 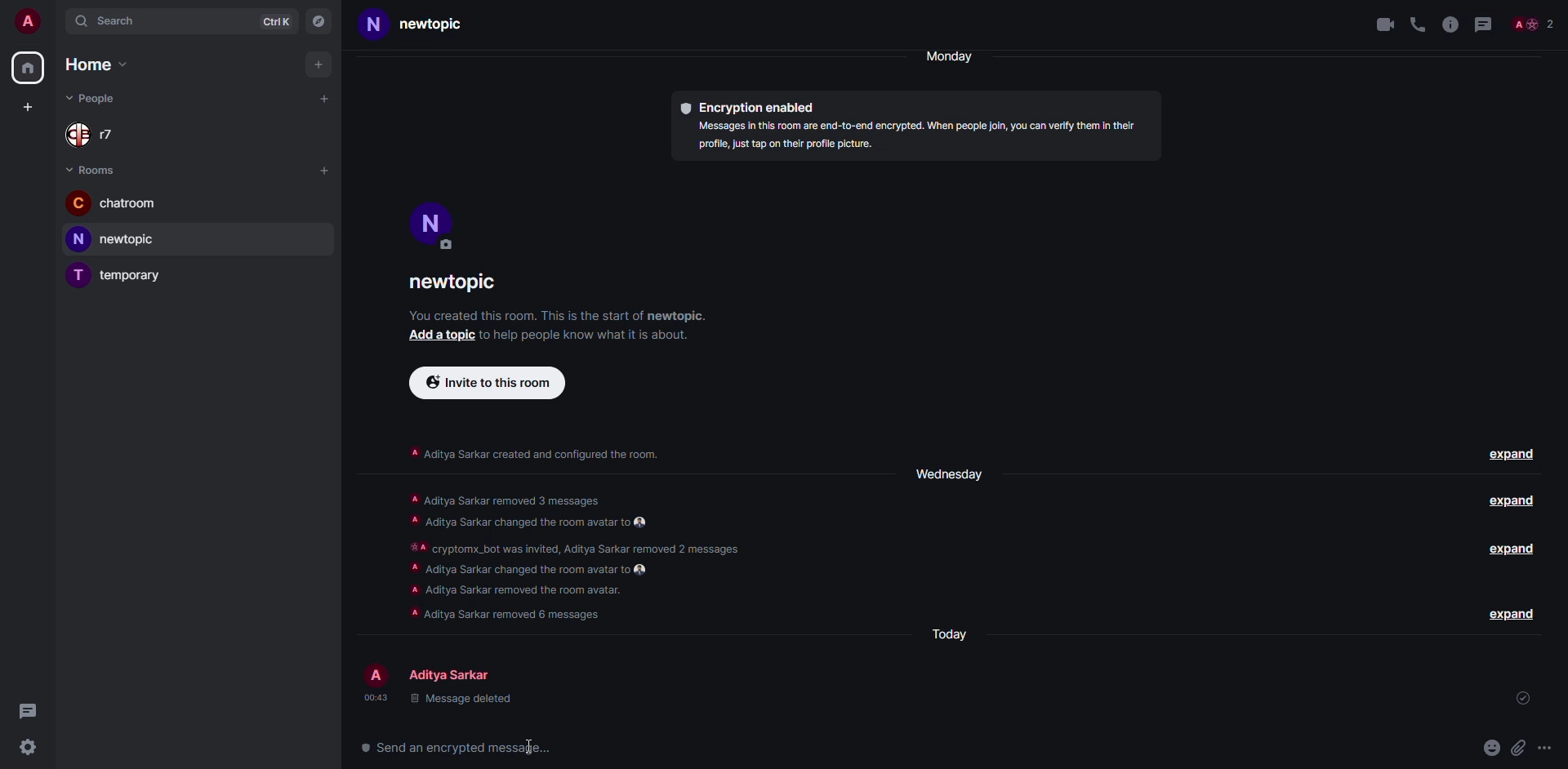 What do you see at coordinates (118, 239) in the screenshot?
I see `room` at bounding box center [118, 239].